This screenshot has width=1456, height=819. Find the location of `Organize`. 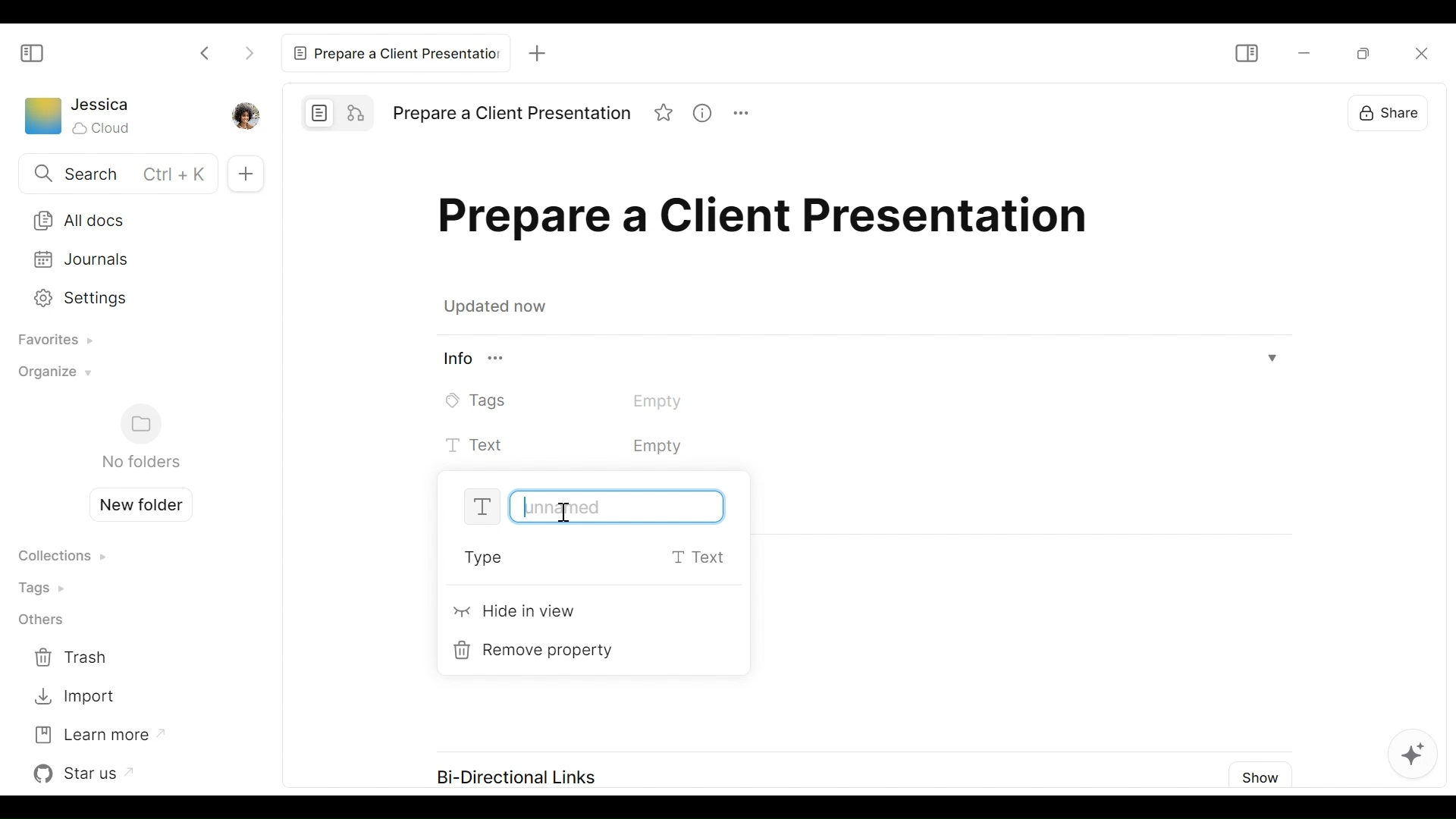

Organize is located at coordinates (51, 376).